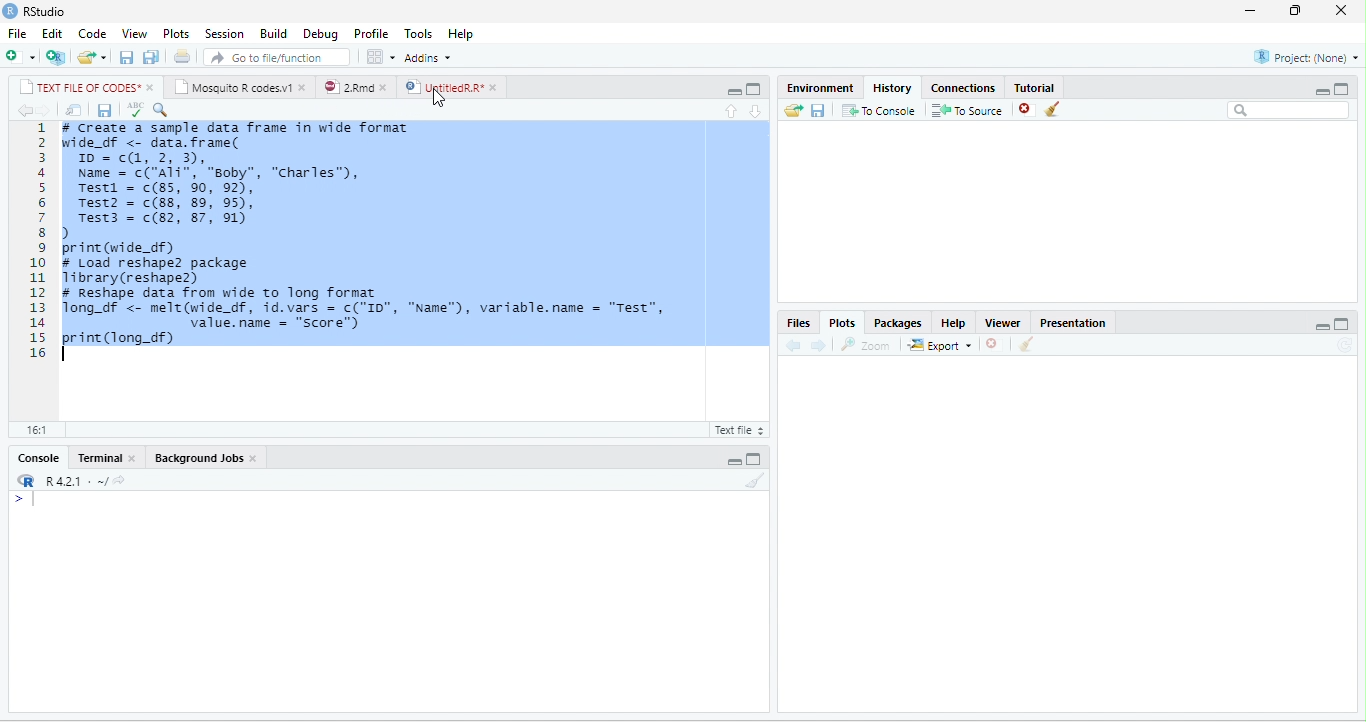 Image resolution: width=1366 pixels, height=722 pixels. I want to click on Code, so click(92, 34).